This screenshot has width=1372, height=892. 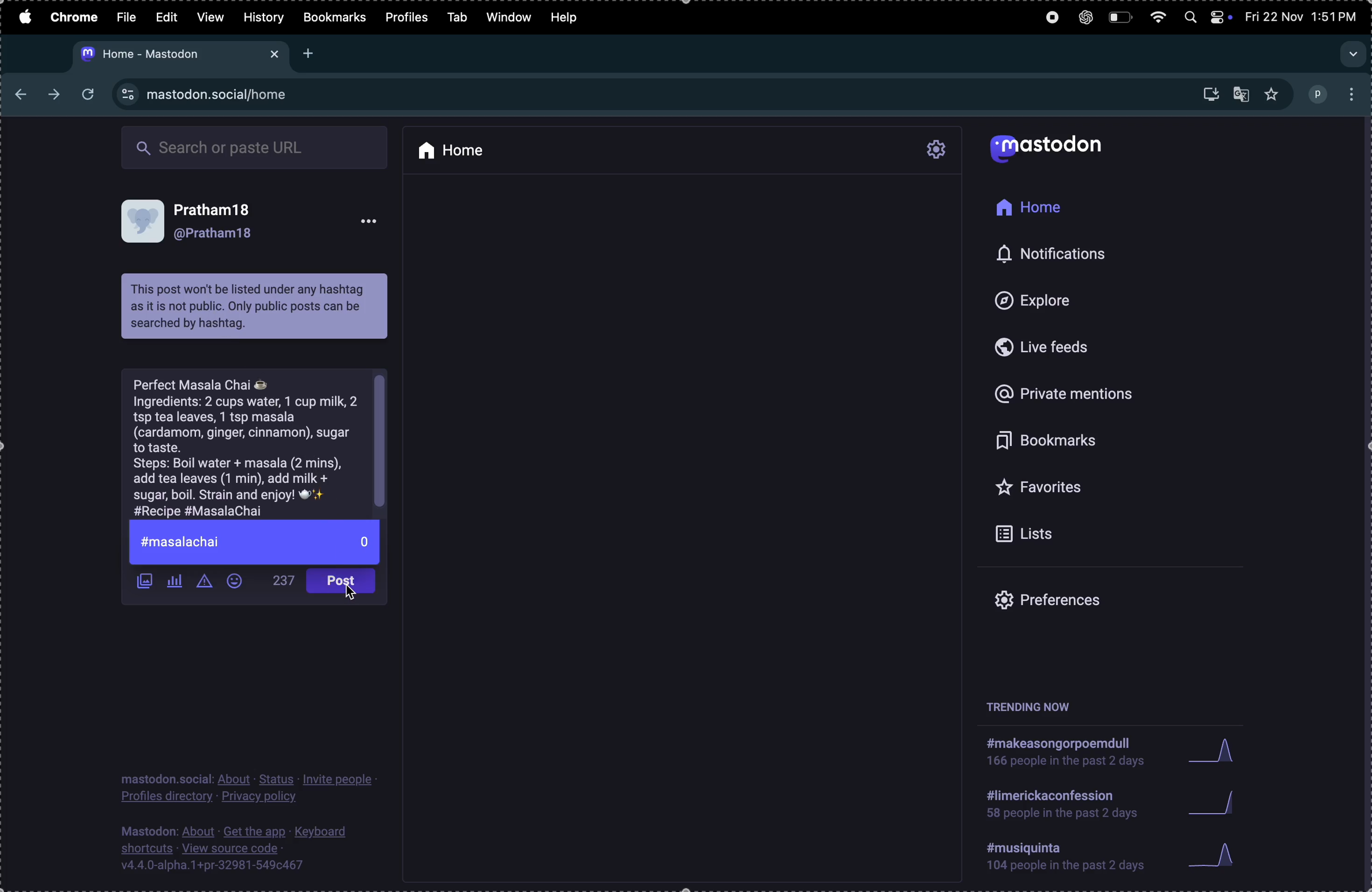 What do you see at coordinates (1352, 55) in the screenshot?
I see `search tab` at bounding box center [1352, 55].